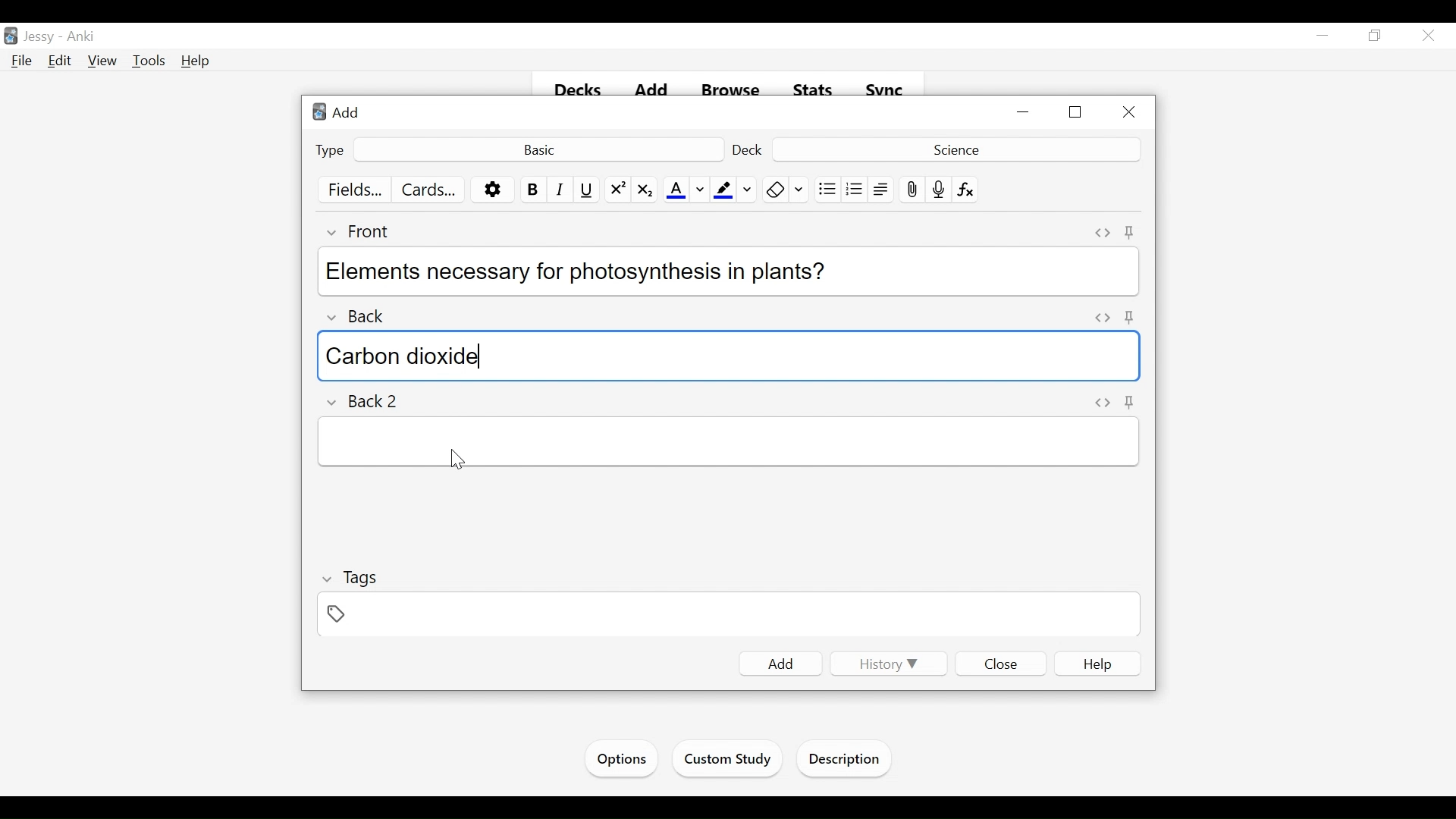 The height and width of the screenshot is (819, 1456). What do you see at coordinates (939, 190) in the screenshot?
I see `Record Audio` at bounding box center [939, 190].